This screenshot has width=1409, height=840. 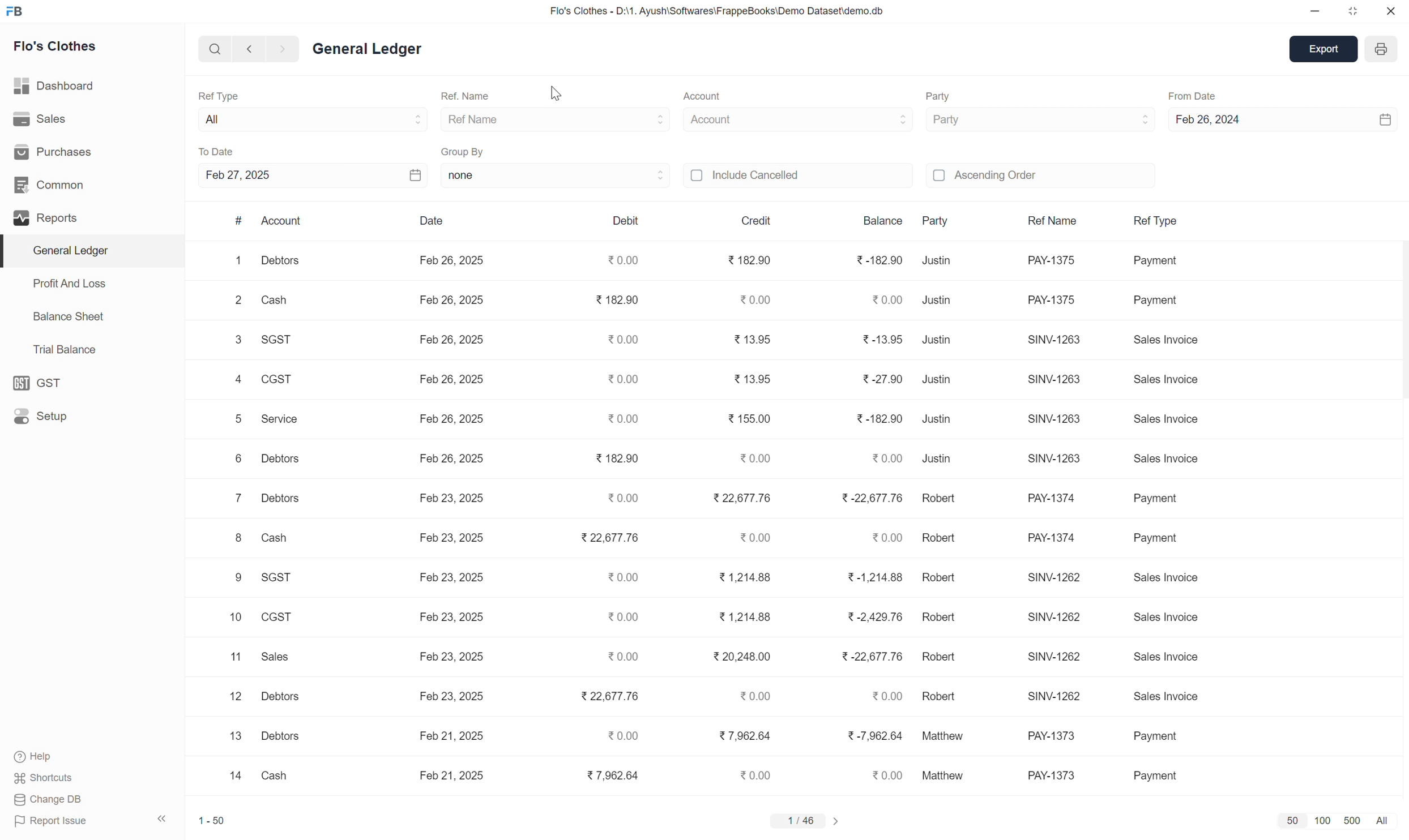 I want to click on 22,677.76, so click(x=744, y=499).